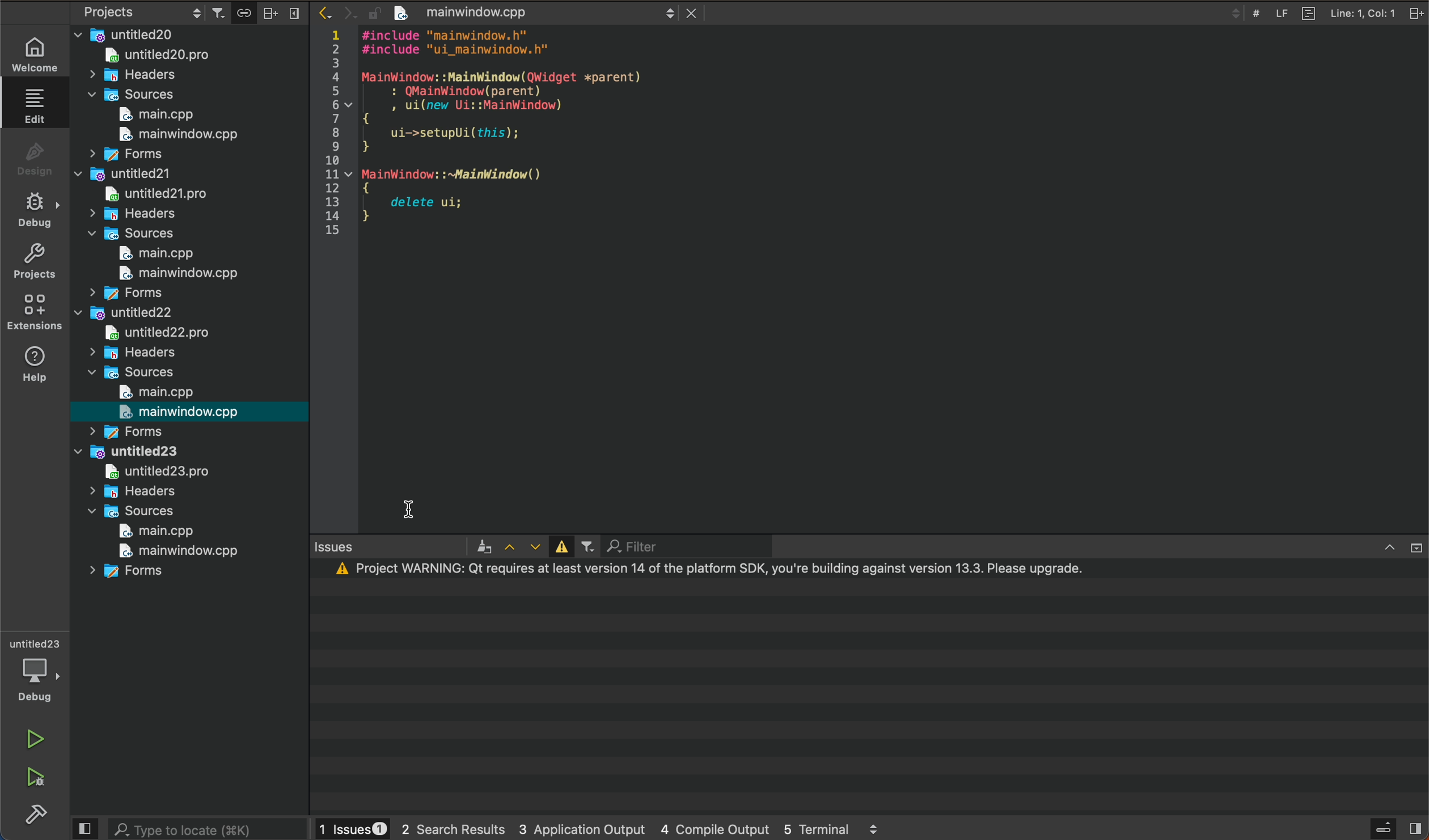 This screenshot has width=1429, height=840. Describe the element at coordinates (1255, 13) in the screenshot. I see `#` at that location.